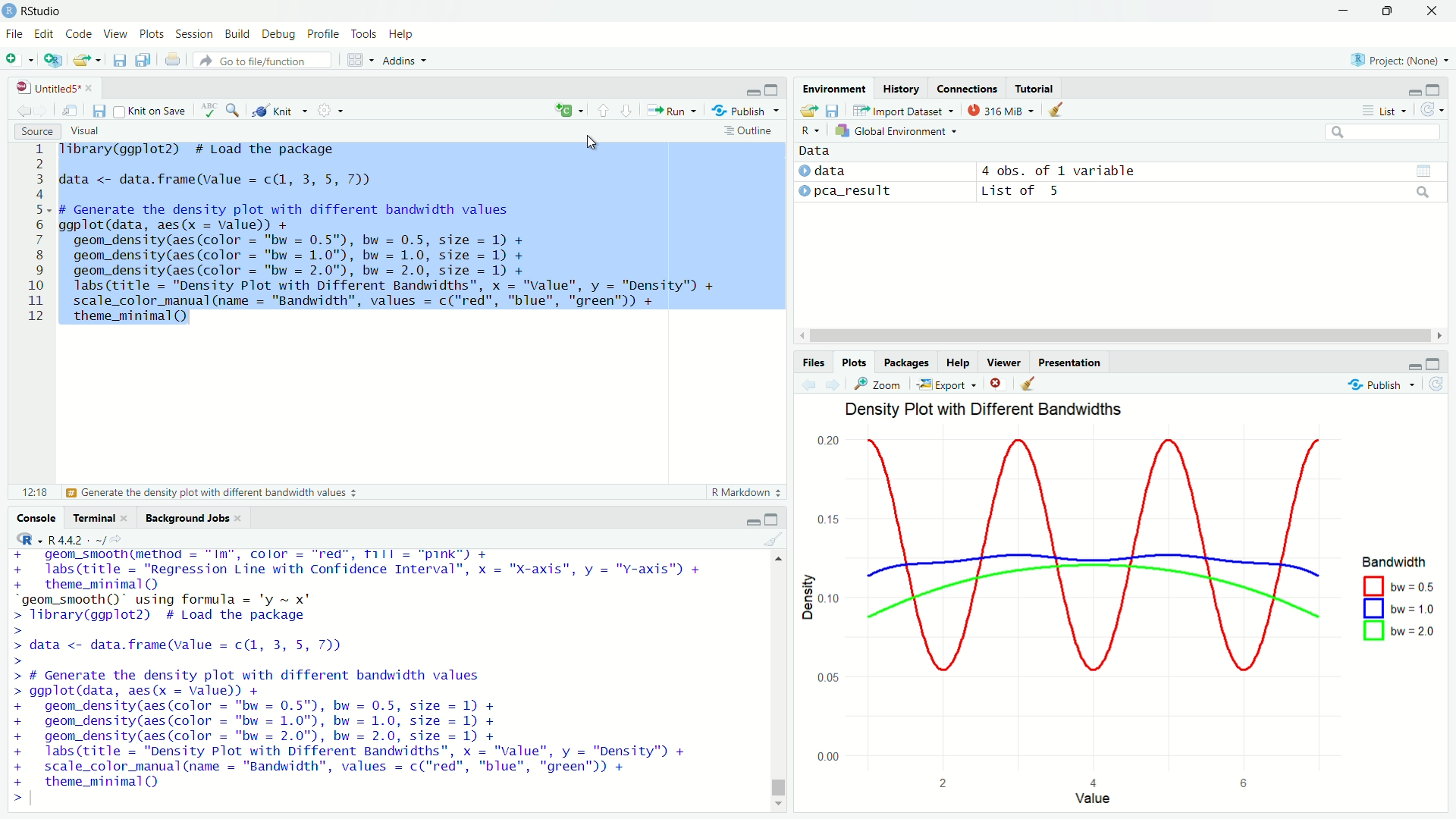 Image resolution: width=1456 pixels, height=819 pixels. What do you see at coordinates (897, 130) in the screenshot?
I see `Global Environment` at bounding box center [897, 130].